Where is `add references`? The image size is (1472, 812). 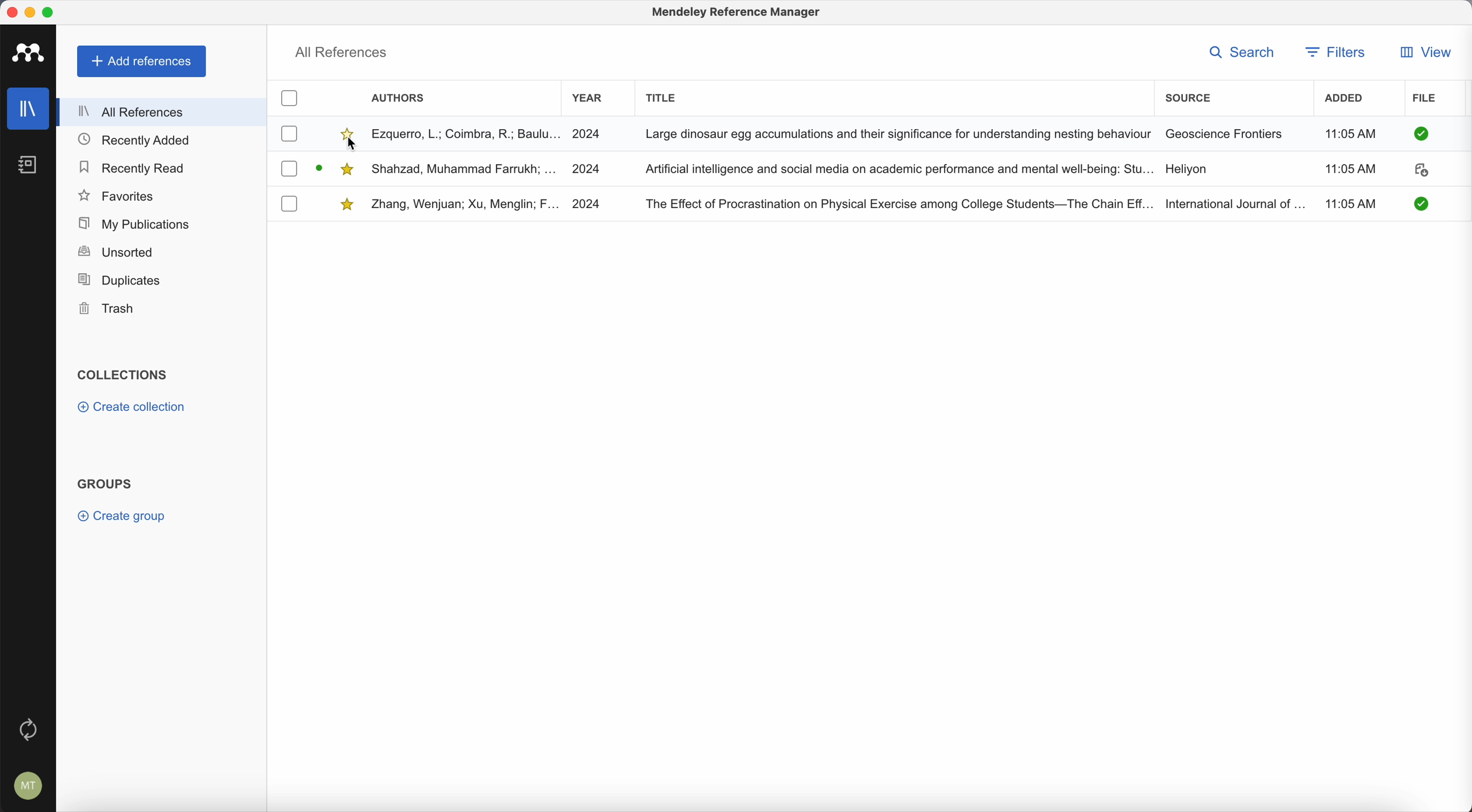 add references is located at coordinates (142, 62).